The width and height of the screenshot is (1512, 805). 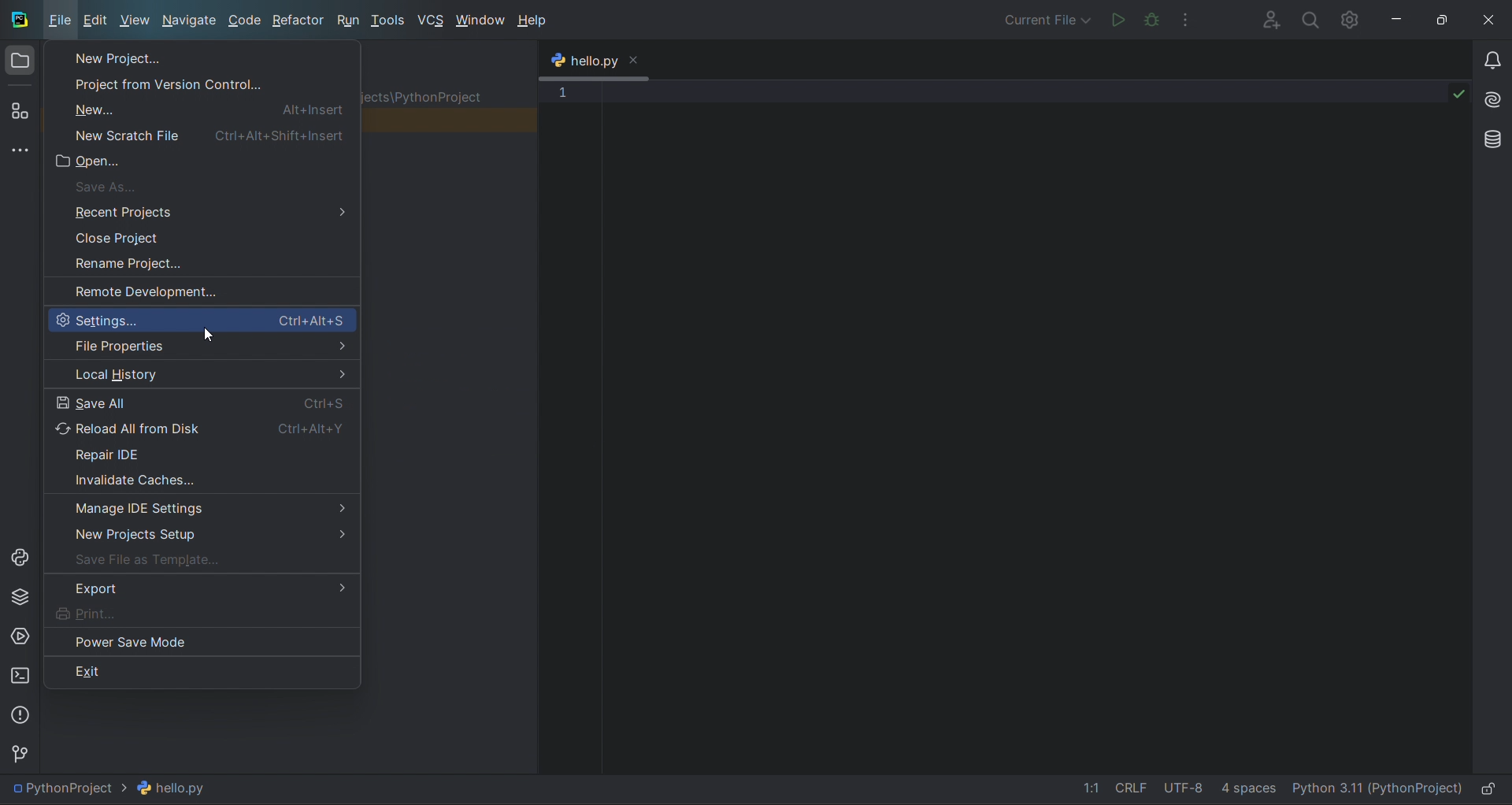 What do you see at coordinates (203, 132) in the screenshot?
I see `new scratch file` at bounding box center [203, 132].